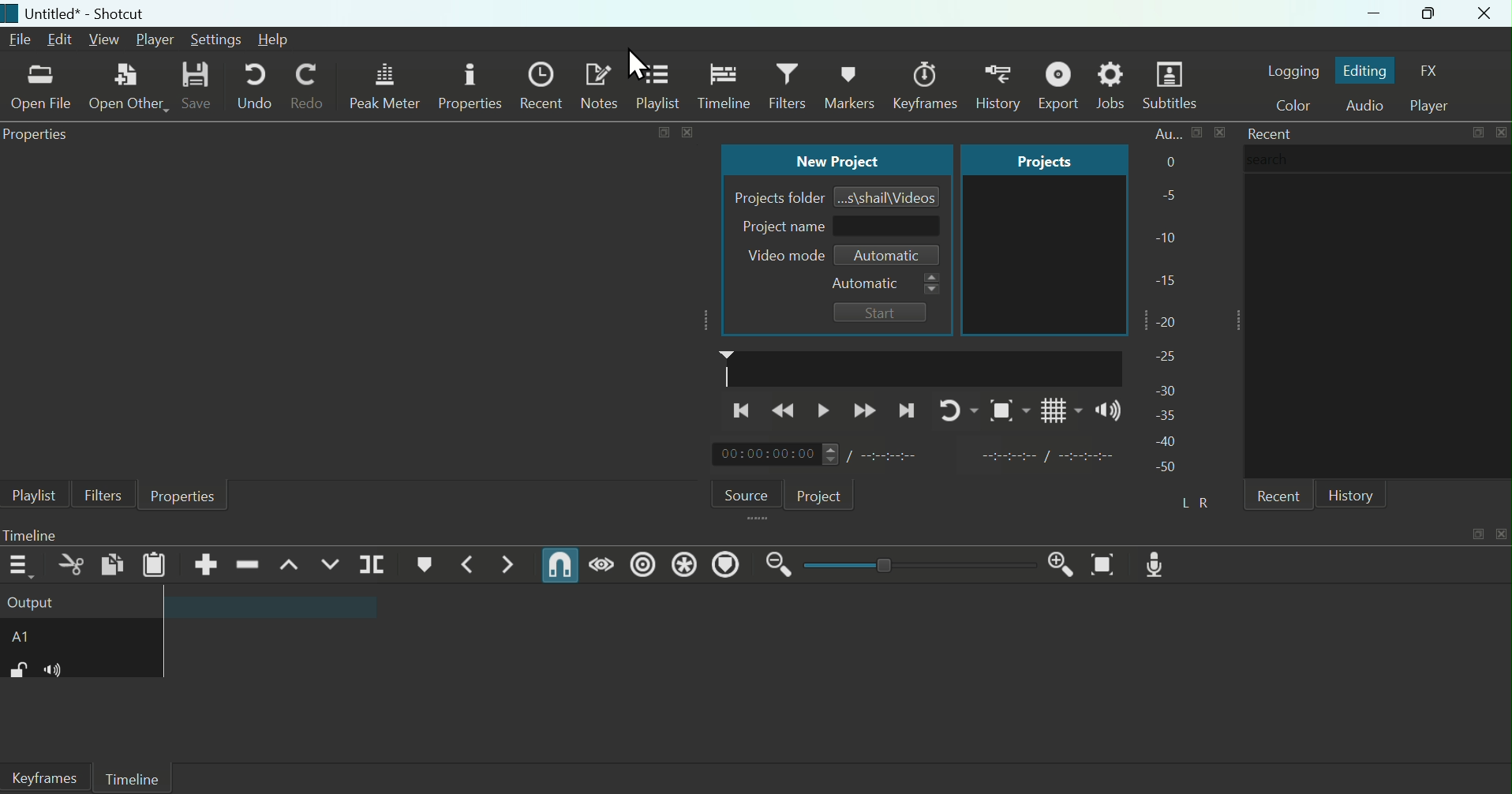  Describe the element at coordinates (1485, 14) in the screenshot. I see `Close` at that location.